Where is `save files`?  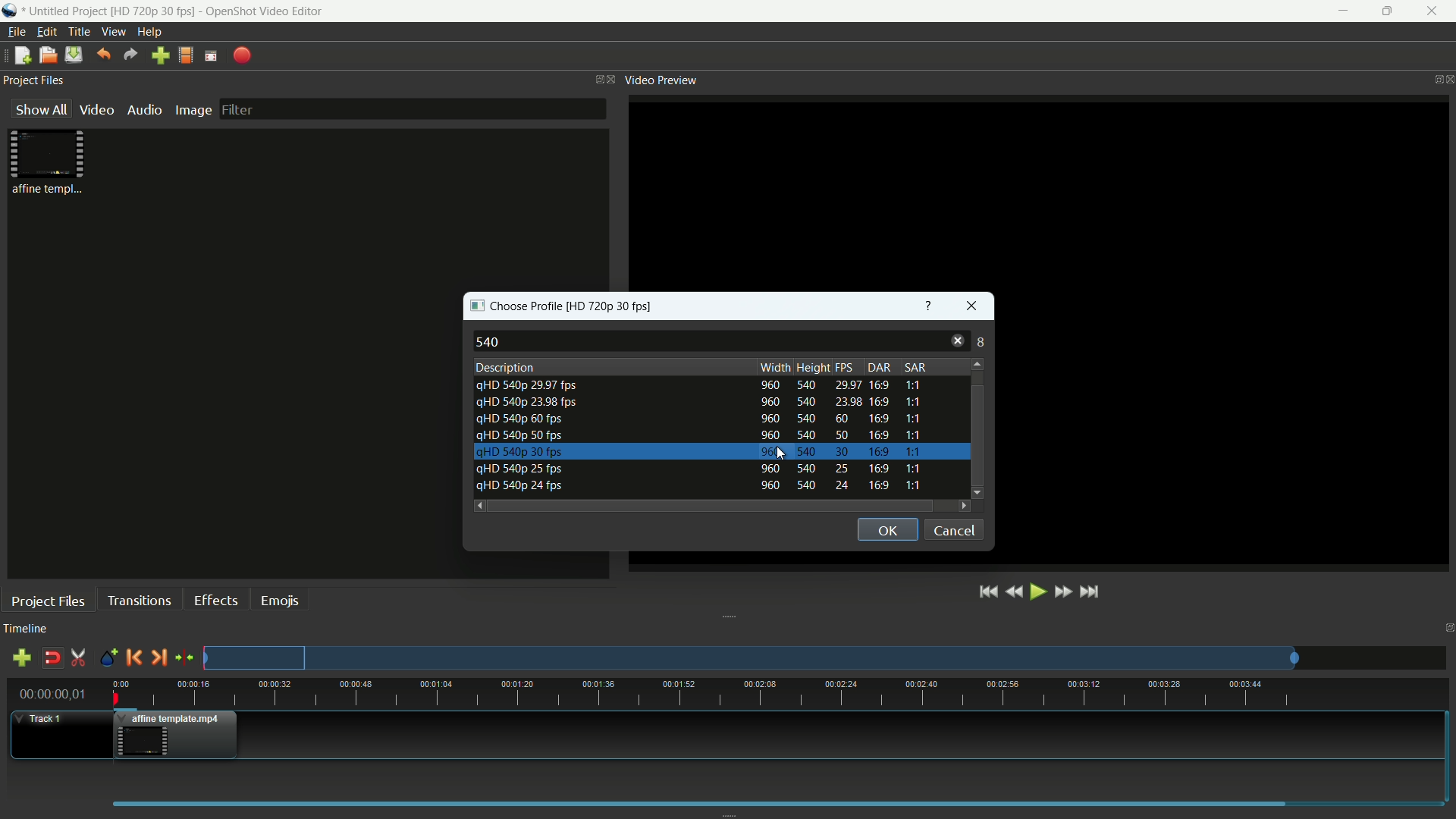
save files is located at coordinates (73, 55).